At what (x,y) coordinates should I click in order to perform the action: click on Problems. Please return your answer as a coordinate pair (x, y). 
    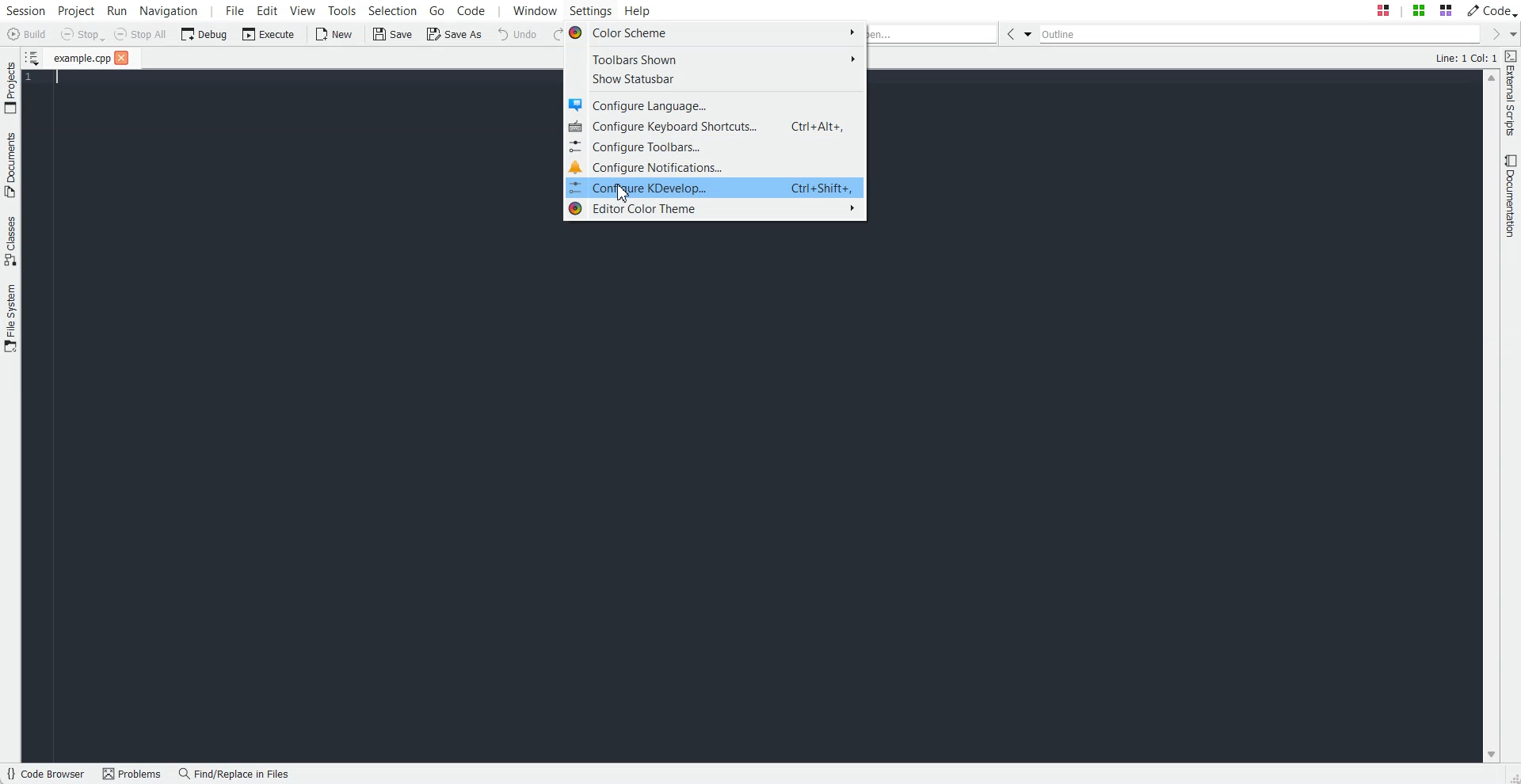
    Looking at the image, I should click on (135, 774).